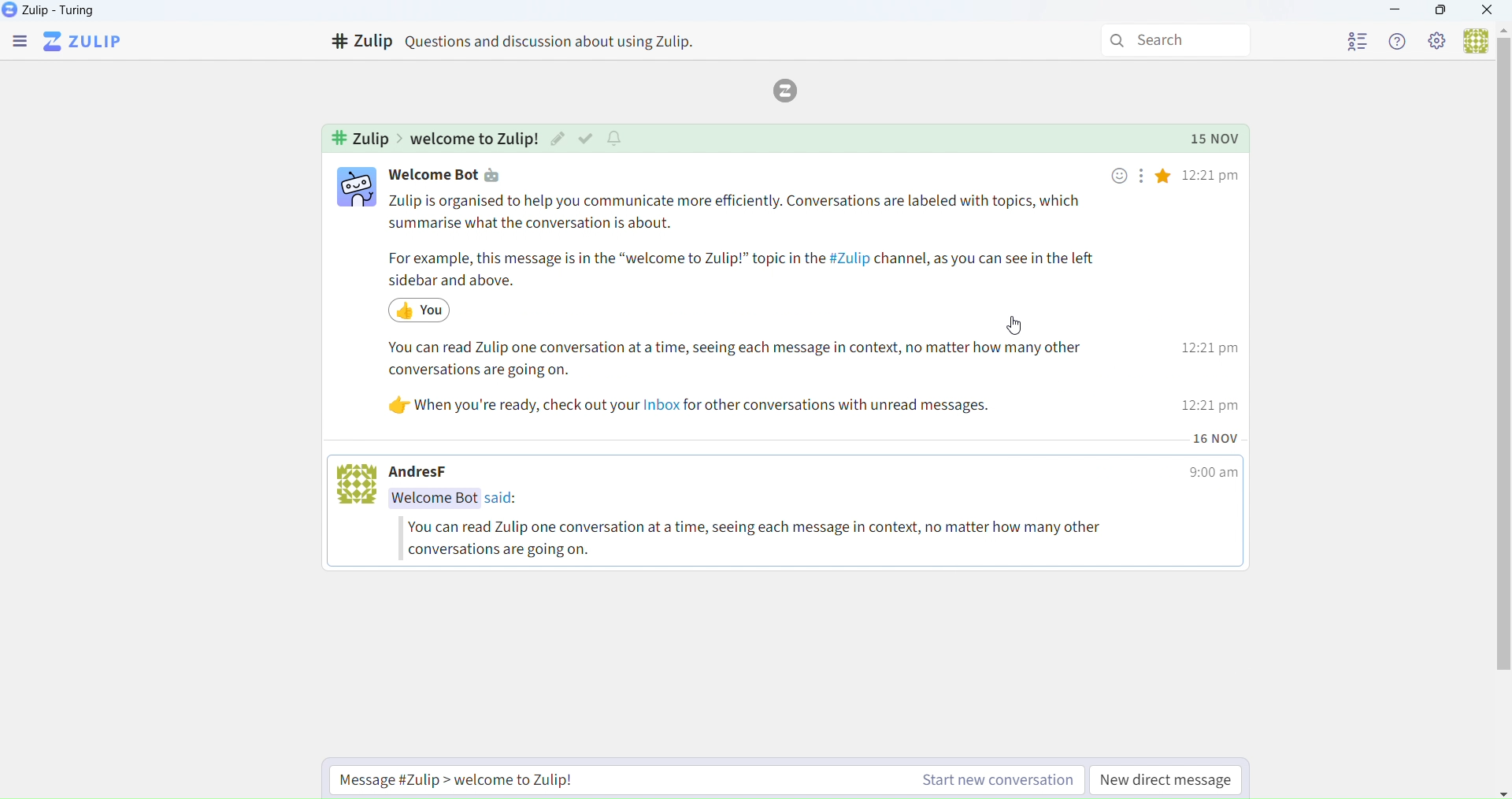 The height and width of the screenshot is (799, 1512). What do you see at coordinates (435, 177) in the screenshot?
I see `Welcome Bot` at bounding box center [435, 177].